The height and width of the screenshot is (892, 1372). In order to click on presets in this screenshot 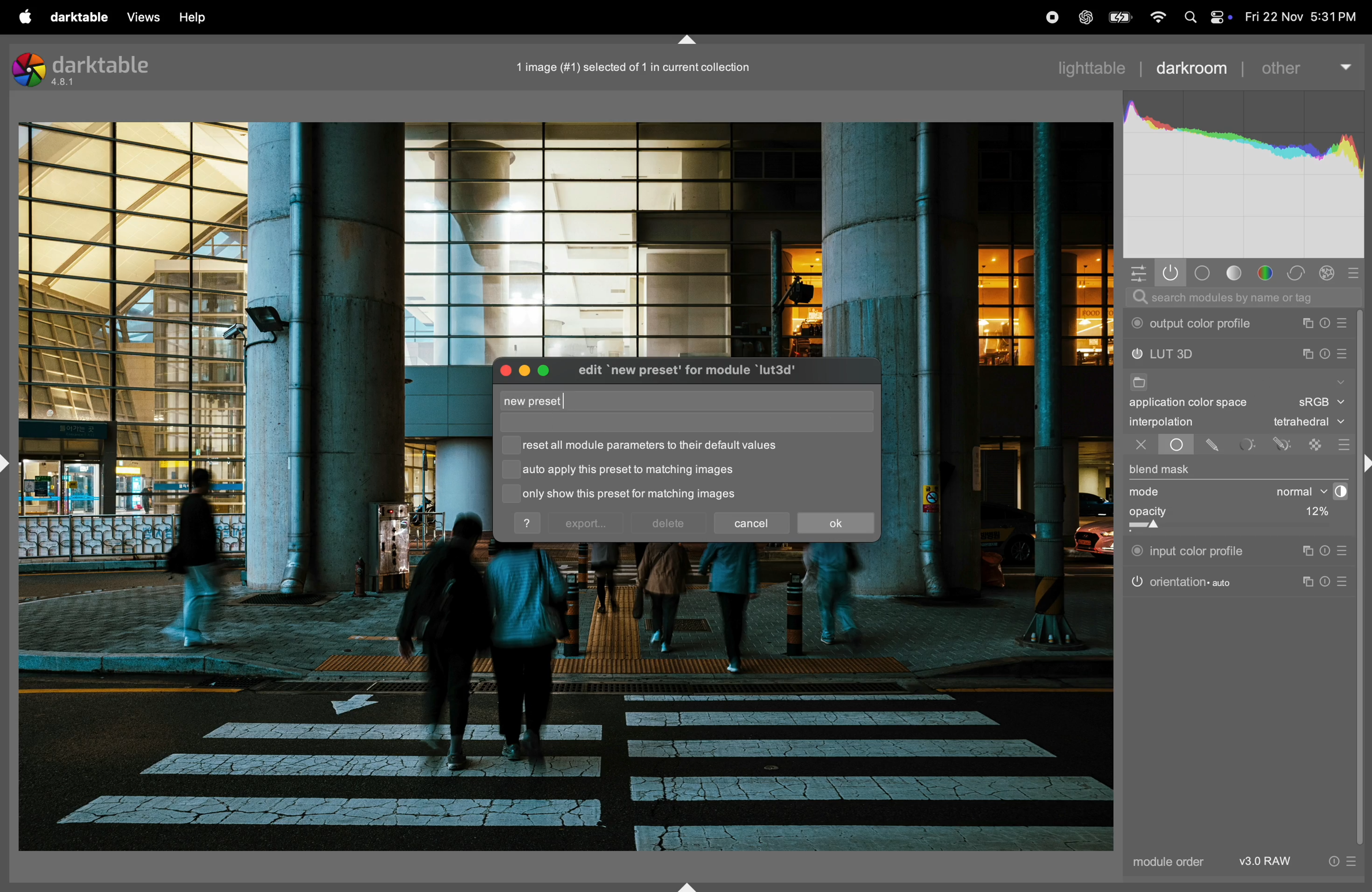, I will do `click(1345, 323)`.